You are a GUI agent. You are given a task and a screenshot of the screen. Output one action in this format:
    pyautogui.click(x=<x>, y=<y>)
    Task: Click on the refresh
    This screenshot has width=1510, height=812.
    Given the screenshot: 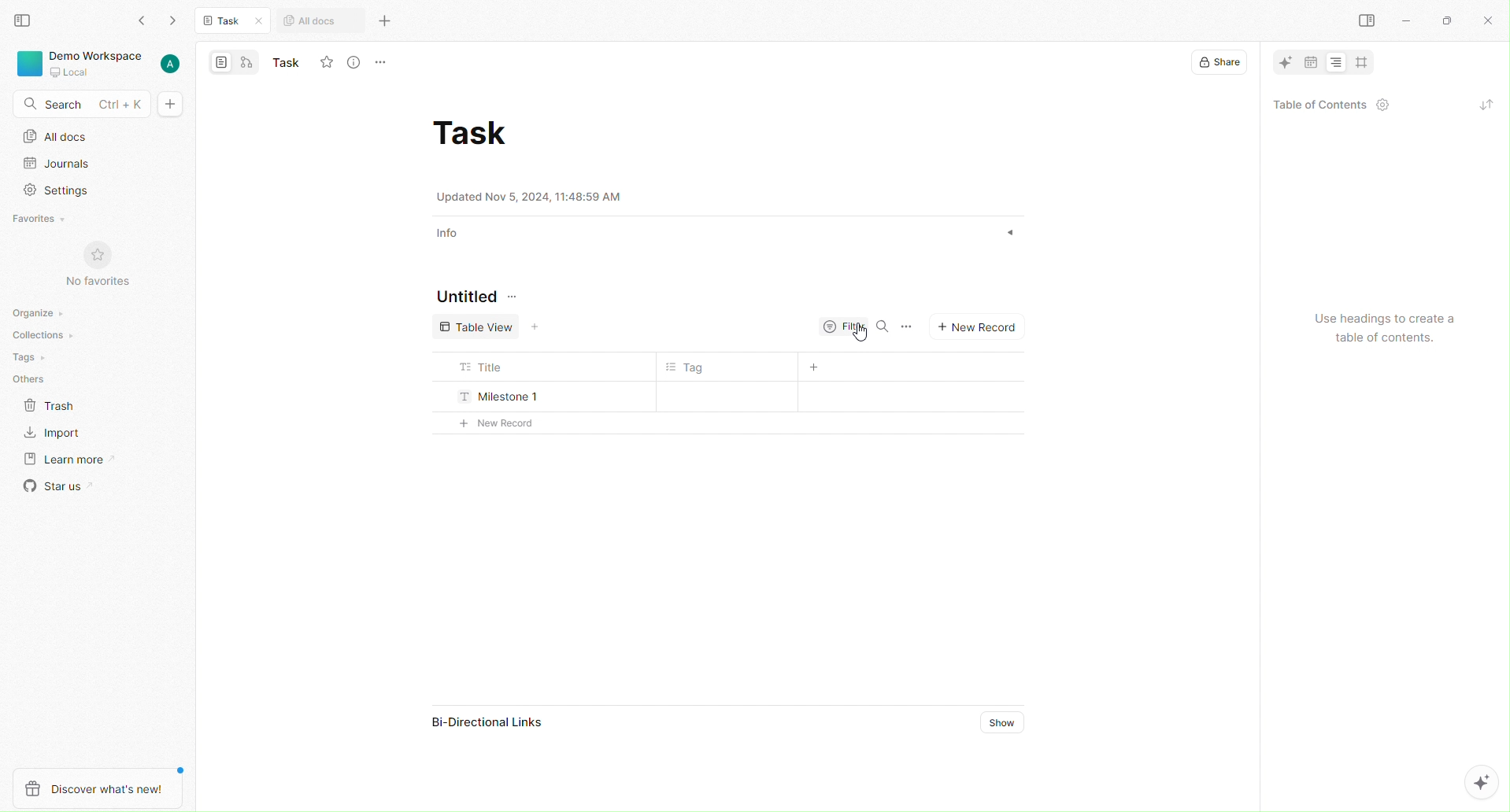 What is the action you would take?
    pyautogui.click(x=1481, y=103)
    